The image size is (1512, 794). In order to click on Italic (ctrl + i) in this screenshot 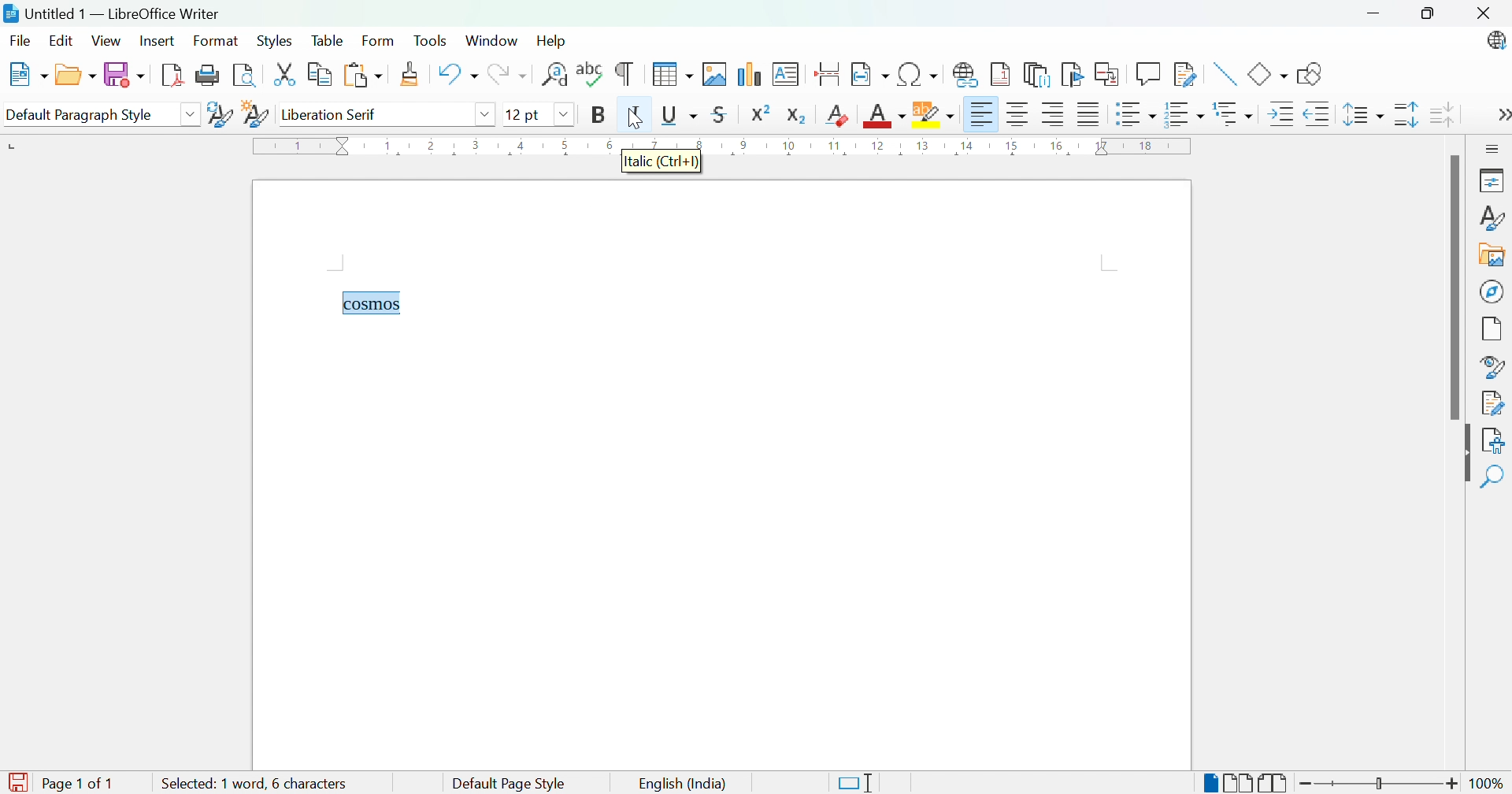, I will do `click(669, 174)`.